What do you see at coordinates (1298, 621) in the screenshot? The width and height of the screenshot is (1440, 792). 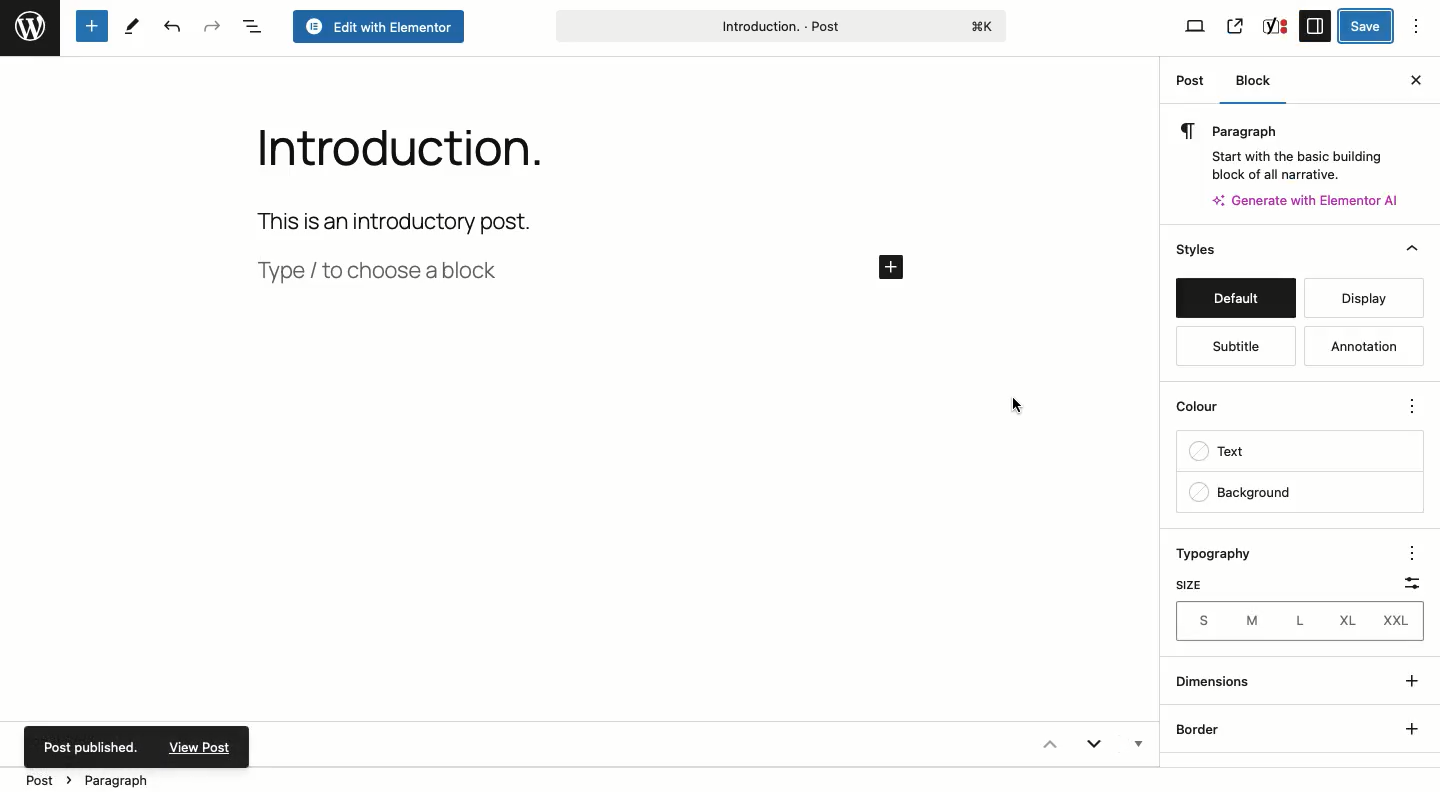 I see `Sizes` at bounding box center [1298, 621].